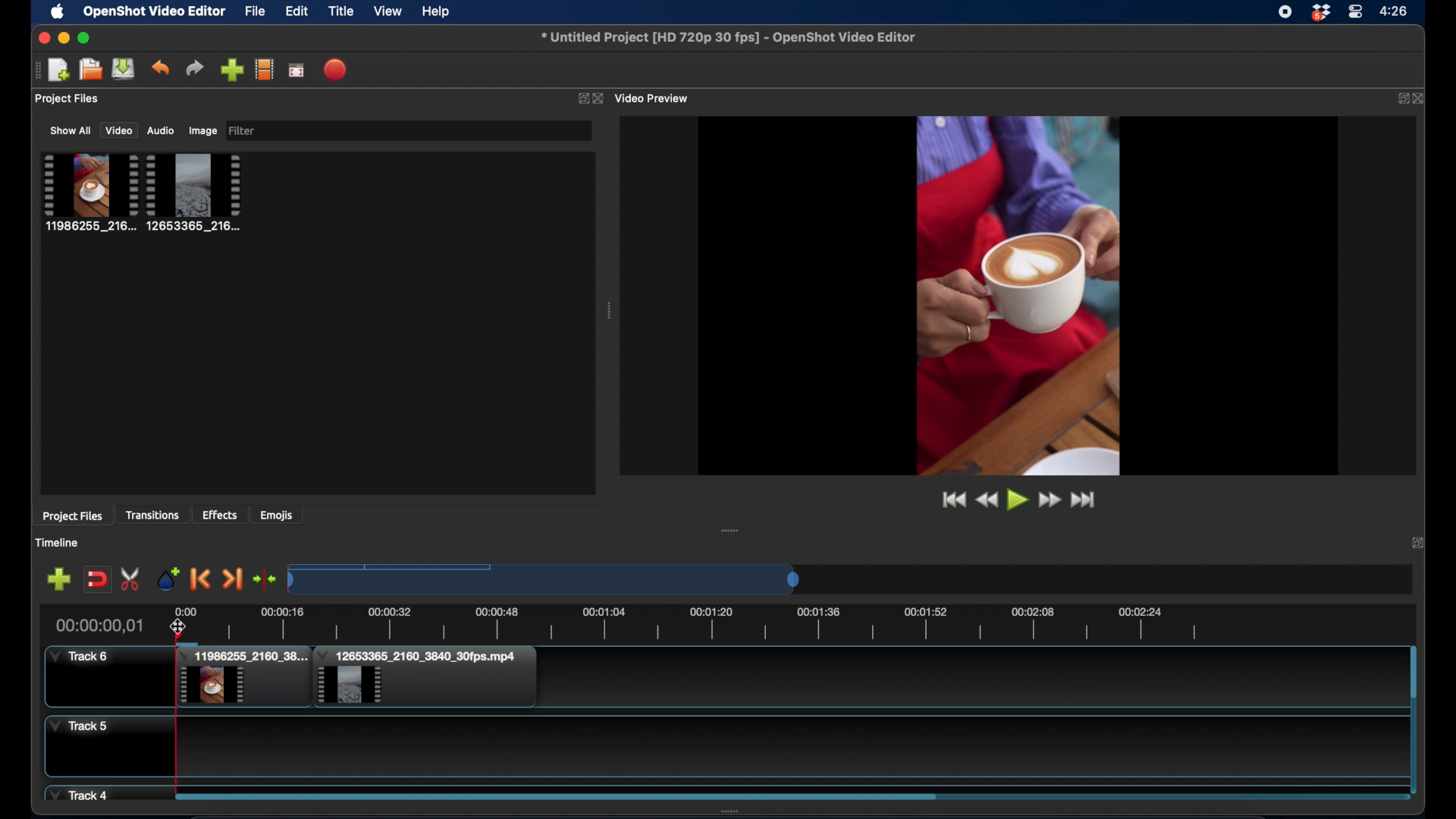  I want to click on emojis, so click(277, 515).